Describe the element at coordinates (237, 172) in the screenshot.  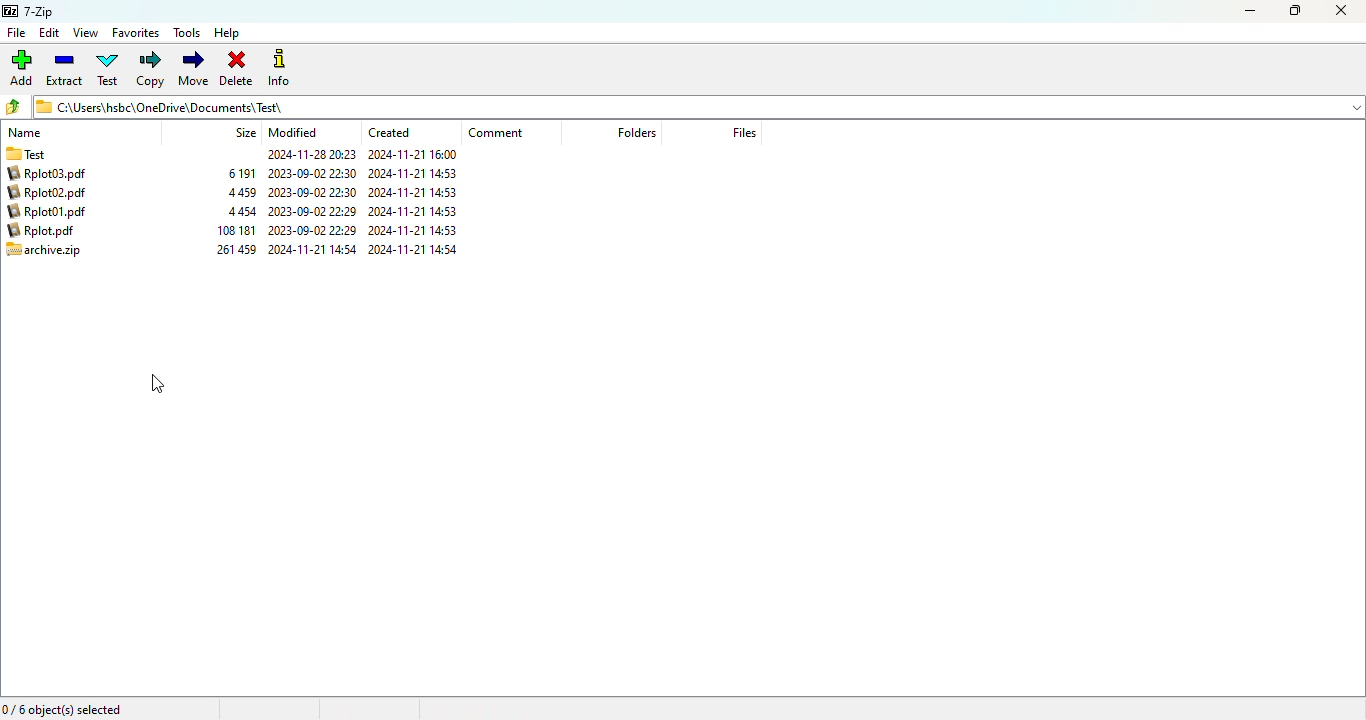
I see `261 459` at that location.